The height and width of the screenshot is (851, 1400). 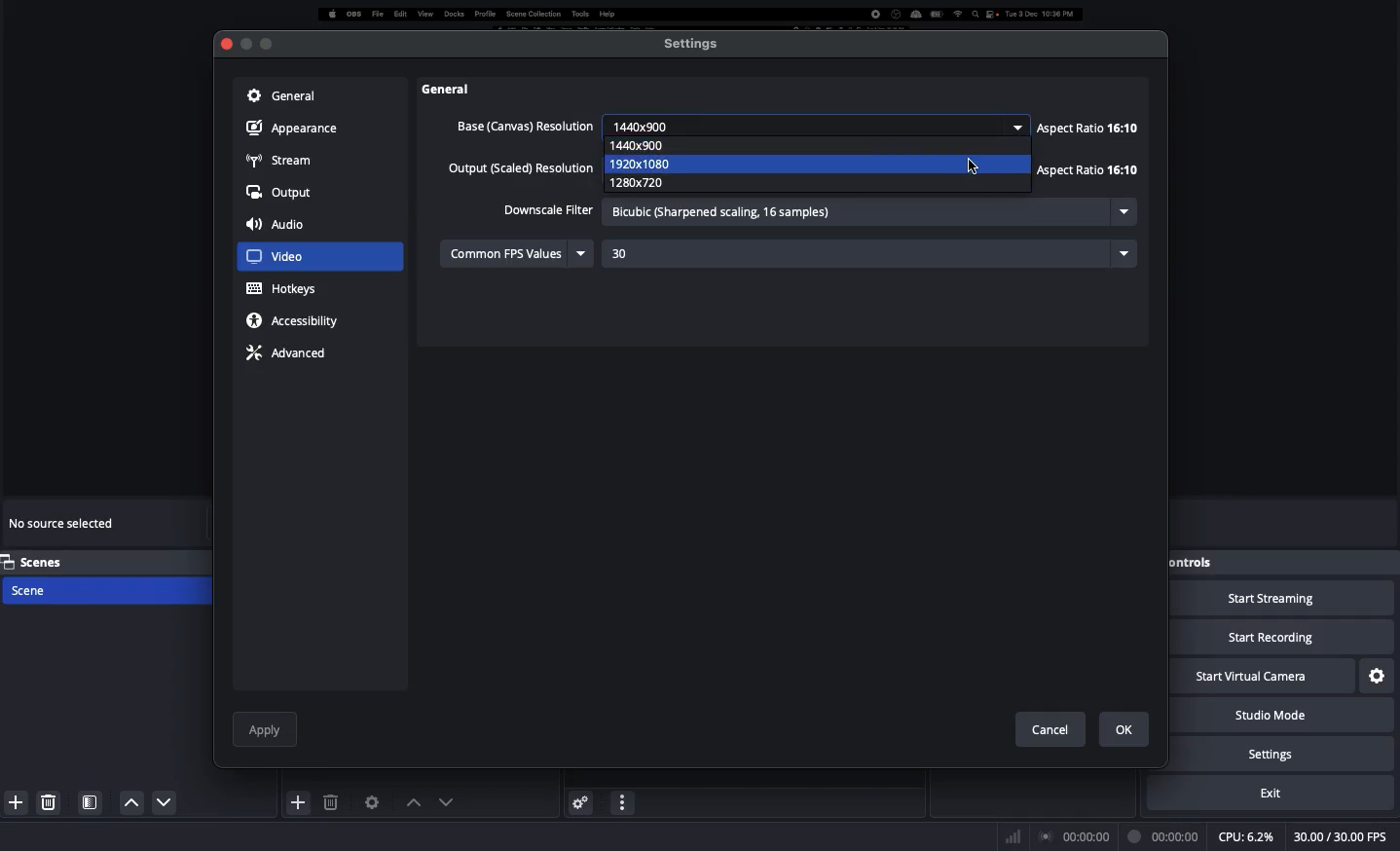 What do you see at coordinates (1283, 600) in the screenshot?
I see `Start streaming` at bounding box center [1283, 600].